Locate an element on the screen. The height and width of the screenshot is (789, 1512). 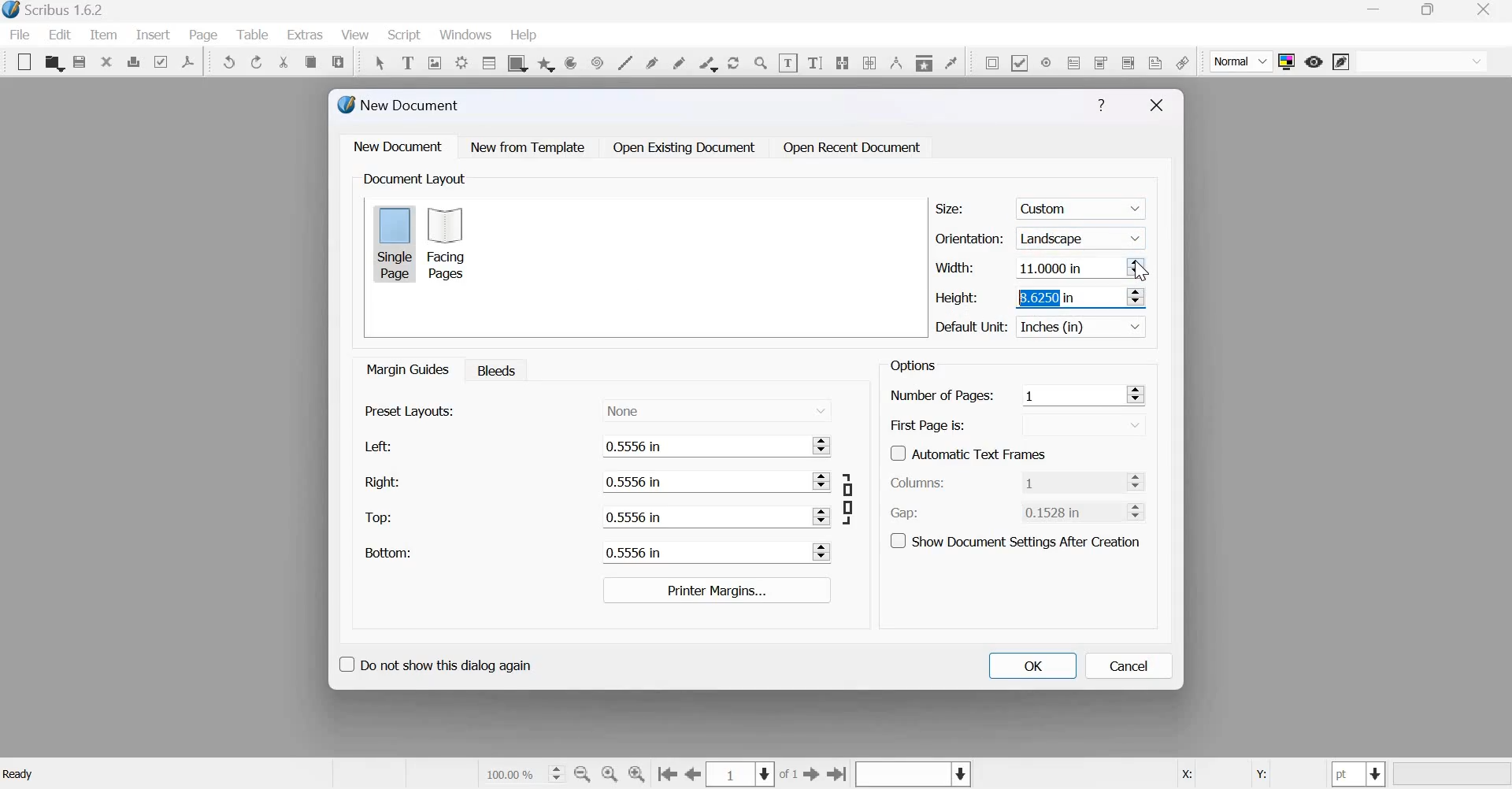
cut is located at coordinates (284, 62).